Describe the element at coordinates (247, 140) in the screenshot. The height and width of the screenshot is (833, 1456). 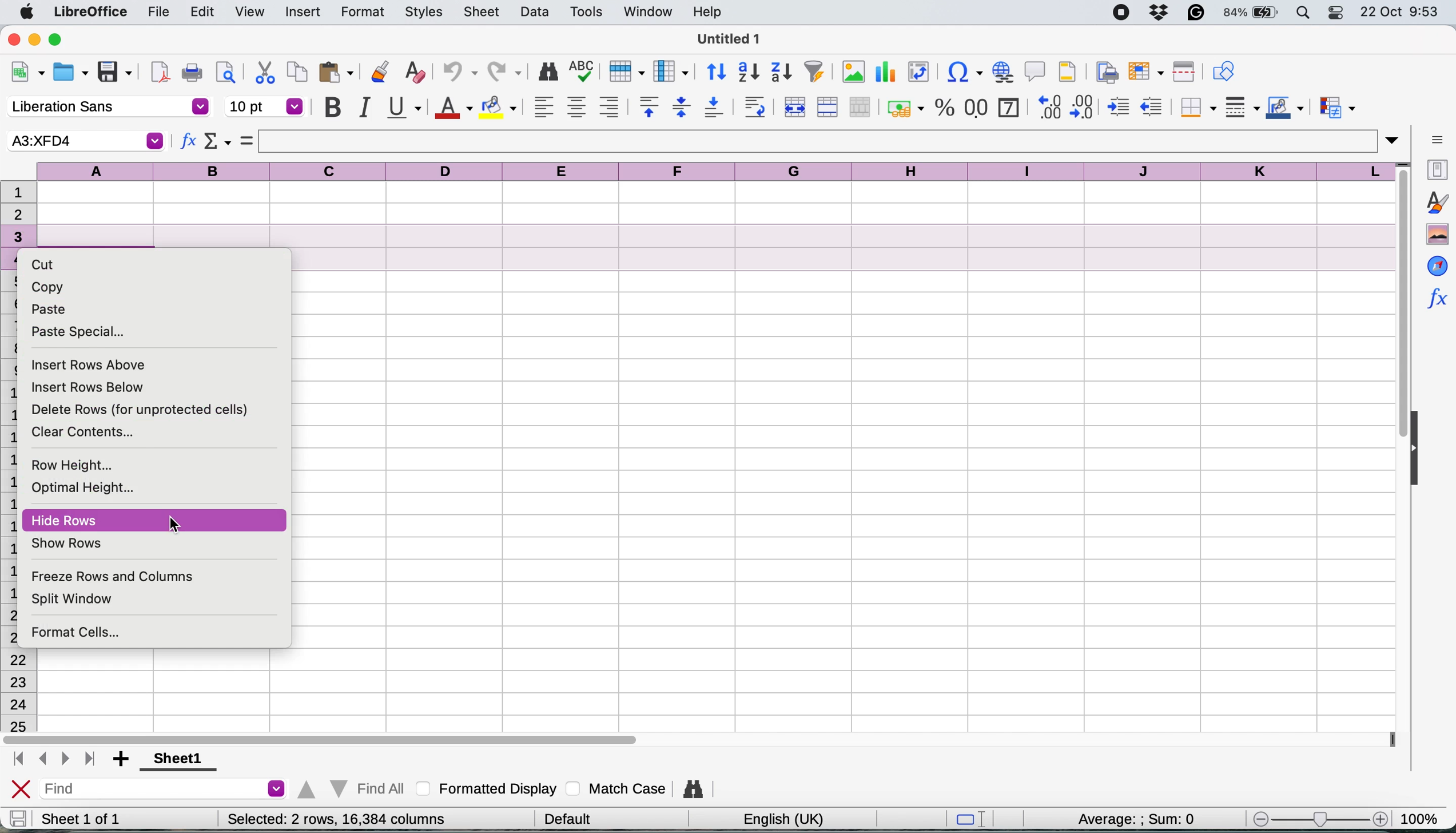
I see `formula ` at that location.